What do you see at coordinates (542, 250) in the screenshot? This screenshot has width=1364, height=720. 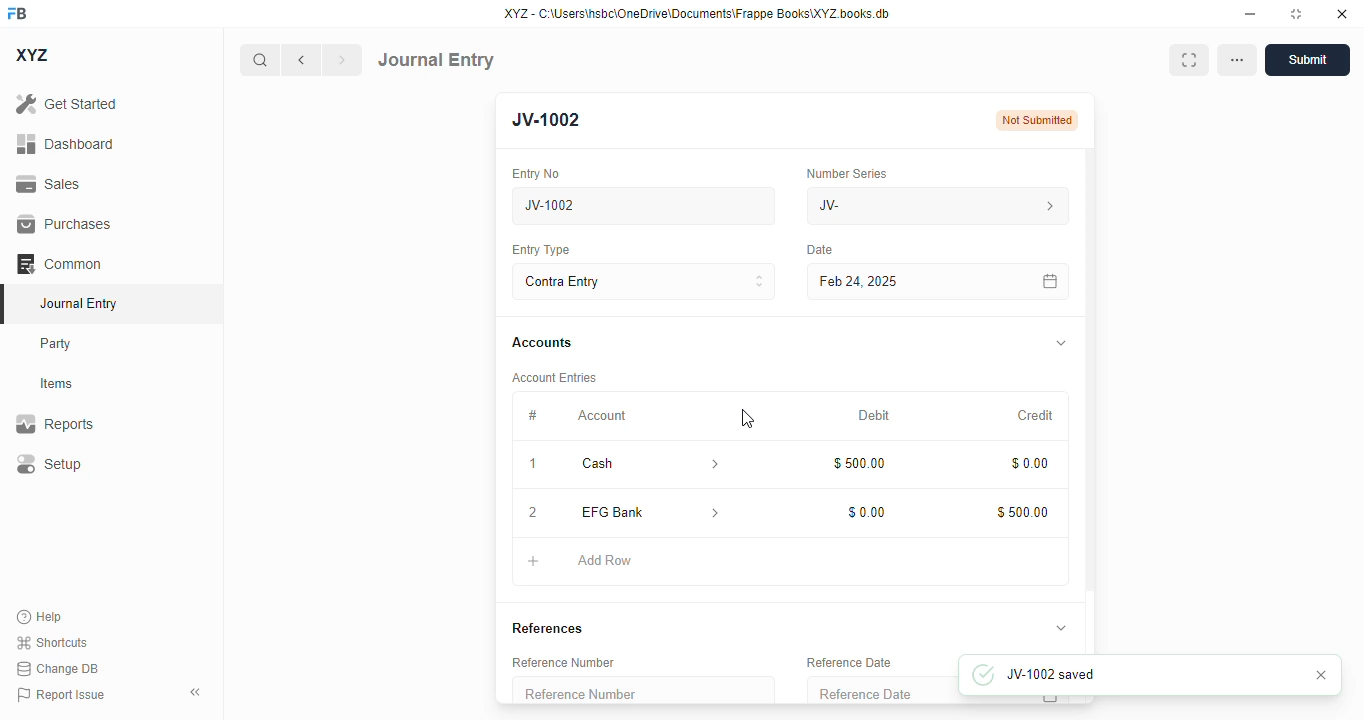 I see `entry type` at bounding box center [542, 250].